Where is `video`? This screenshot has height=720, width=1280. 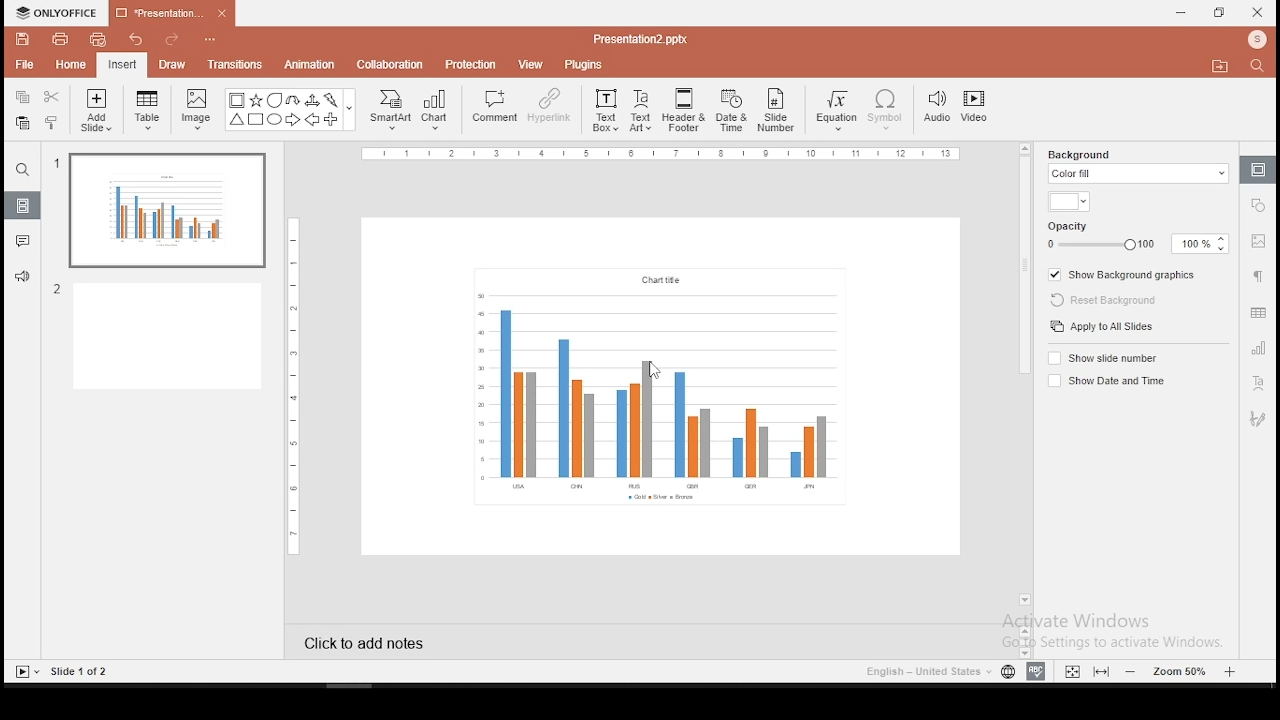 video is located at coordinates (977, 108).